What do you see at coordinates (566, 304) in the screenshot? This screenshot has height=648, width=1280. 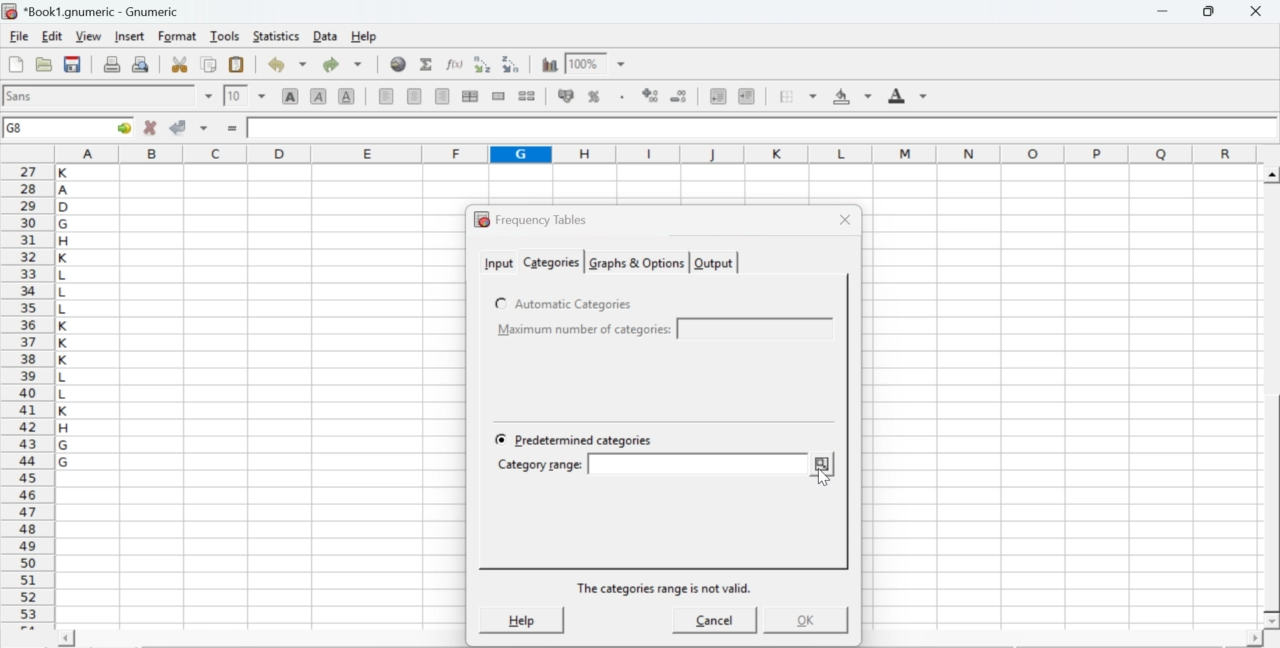 I see `automatic categories` at bounding box center [566, 304].